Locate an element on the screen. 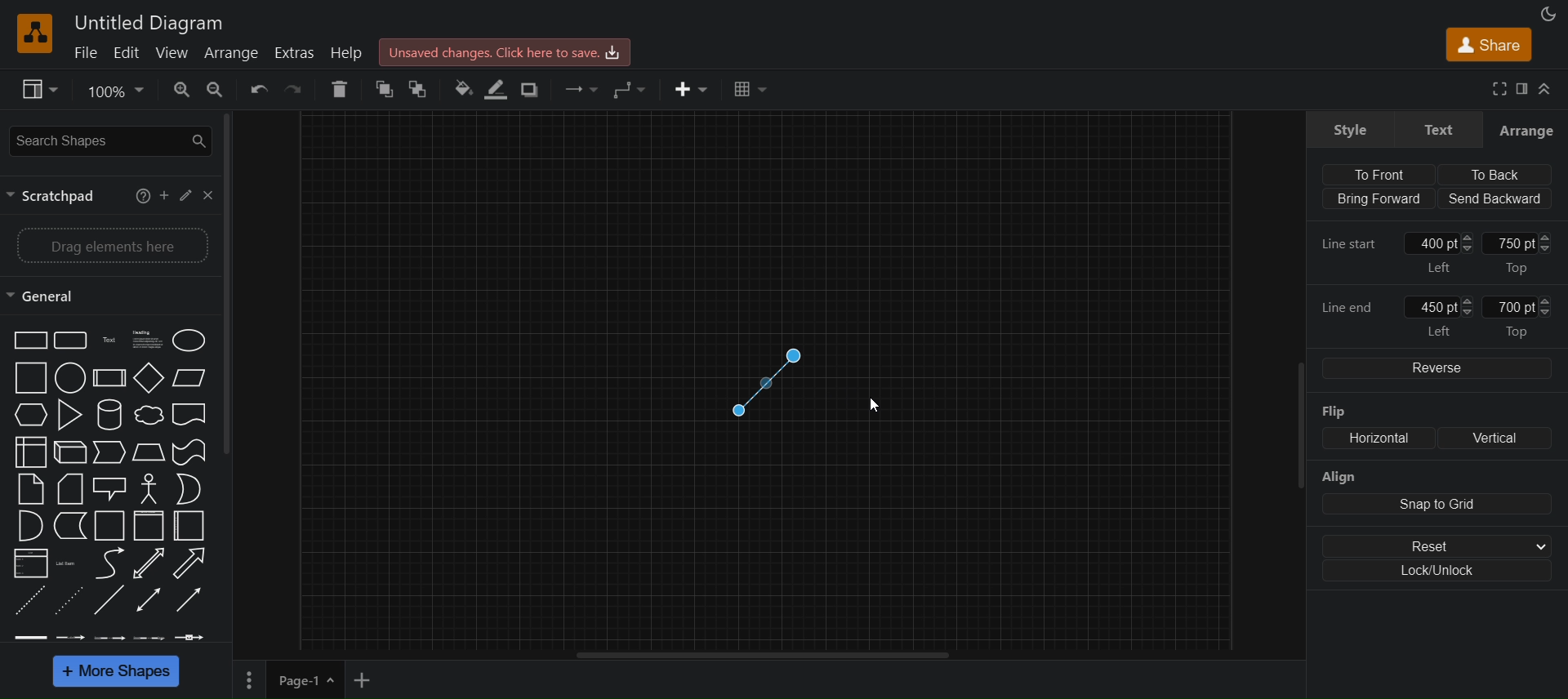 This screenshot has height=699, width=1568. Callout is located at coordinates (109, 488).